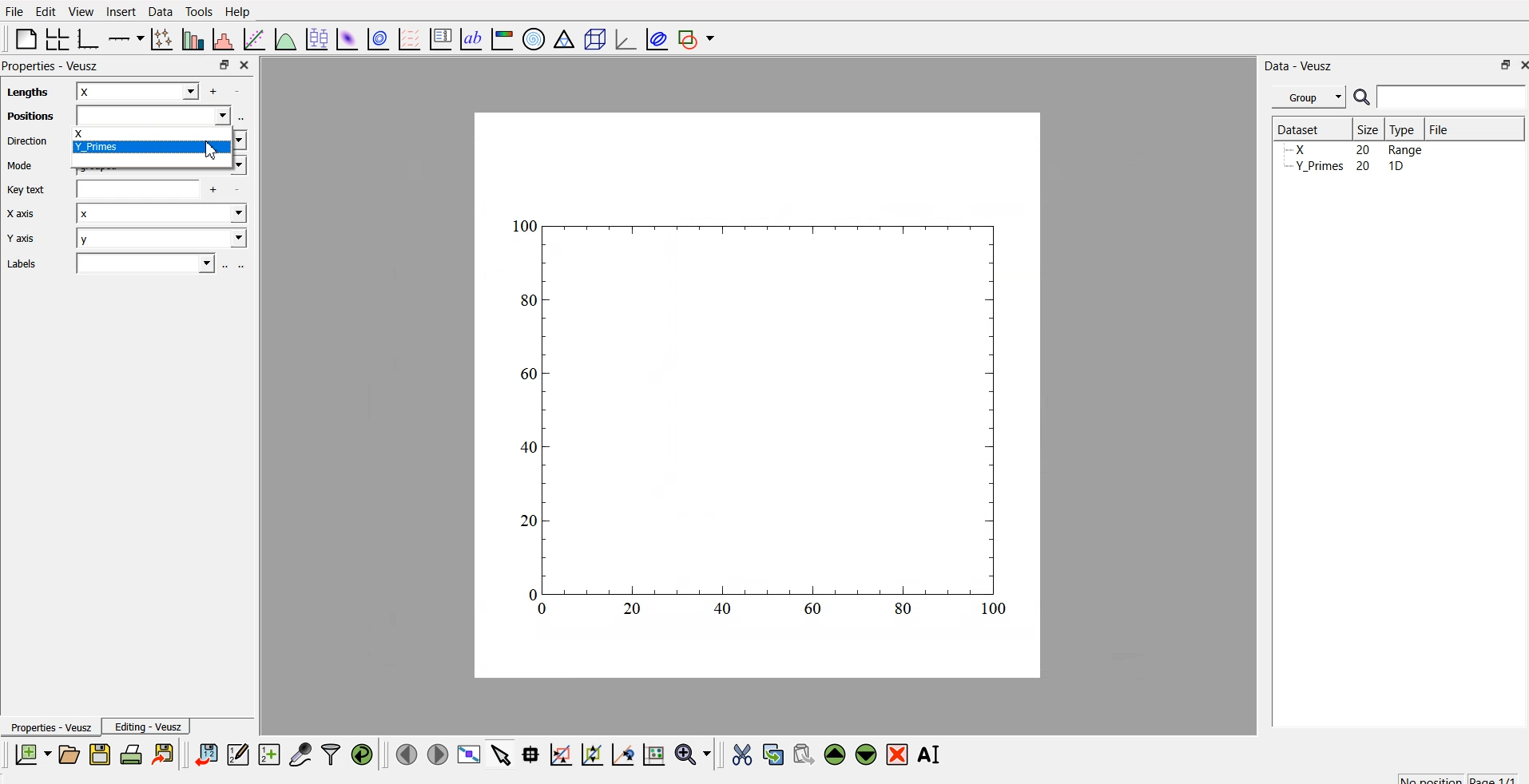 The image size is (1529, 784). Describe the element at coordinates (315, 38) in the screenshot. I see `plot box plots` at that location.